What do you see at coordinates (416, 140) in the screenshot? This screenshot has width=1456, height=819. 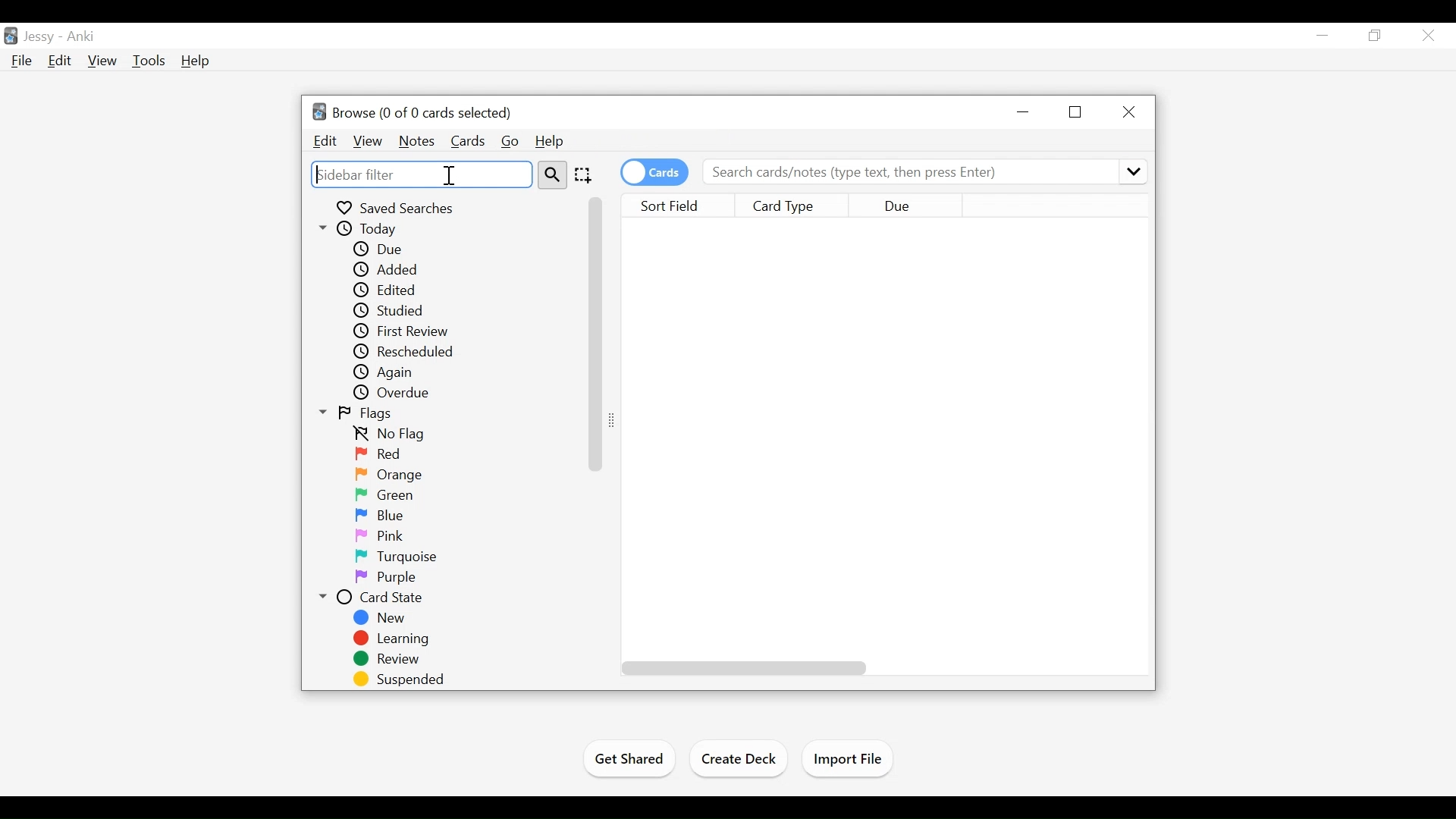 I see `Notes` at bounding box center [416, 140].